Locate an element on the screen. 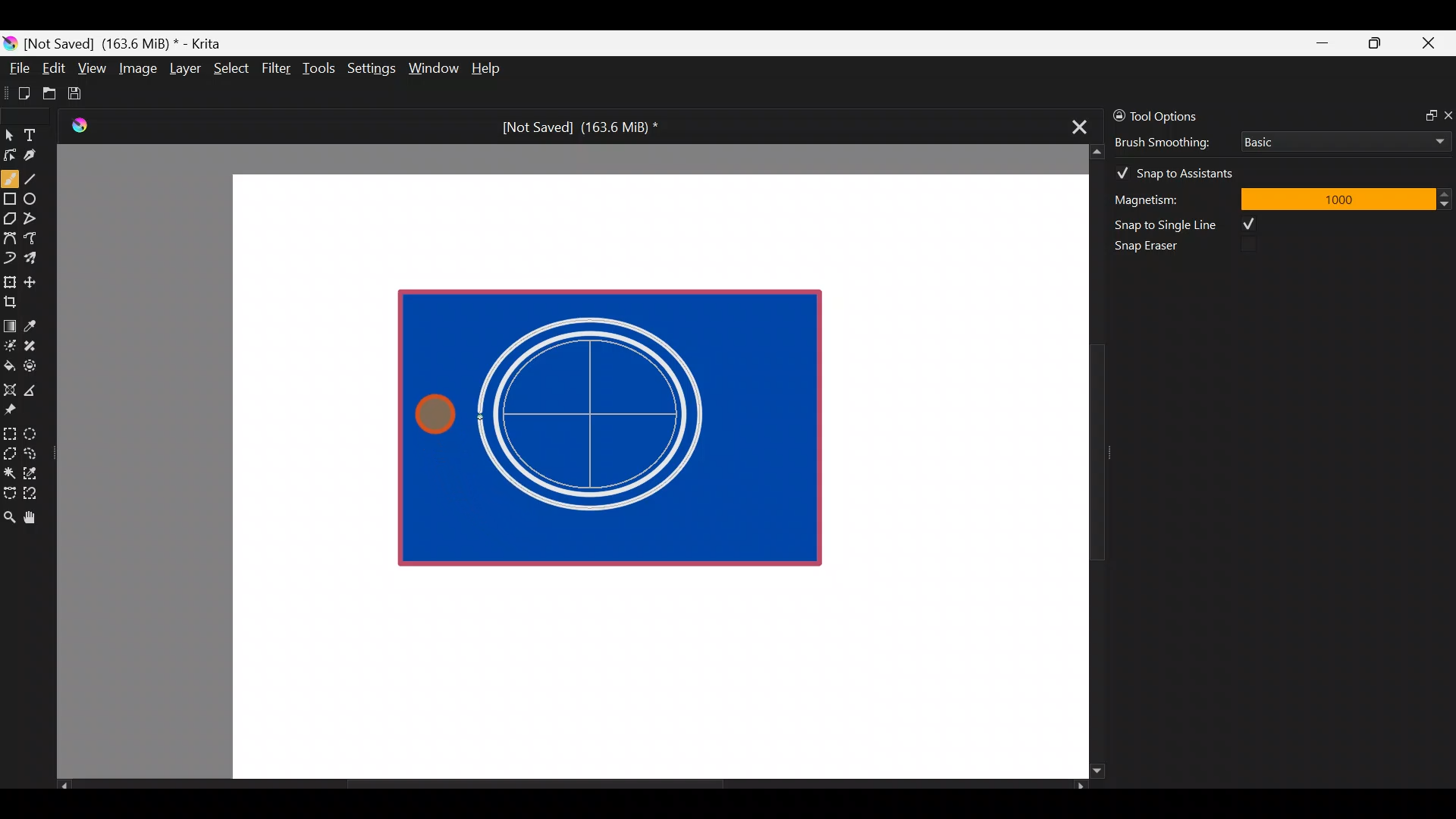 Image resolution: width=1456 pixels, height=819 pixels. Polyline tool is located at coordinates (36, 219).